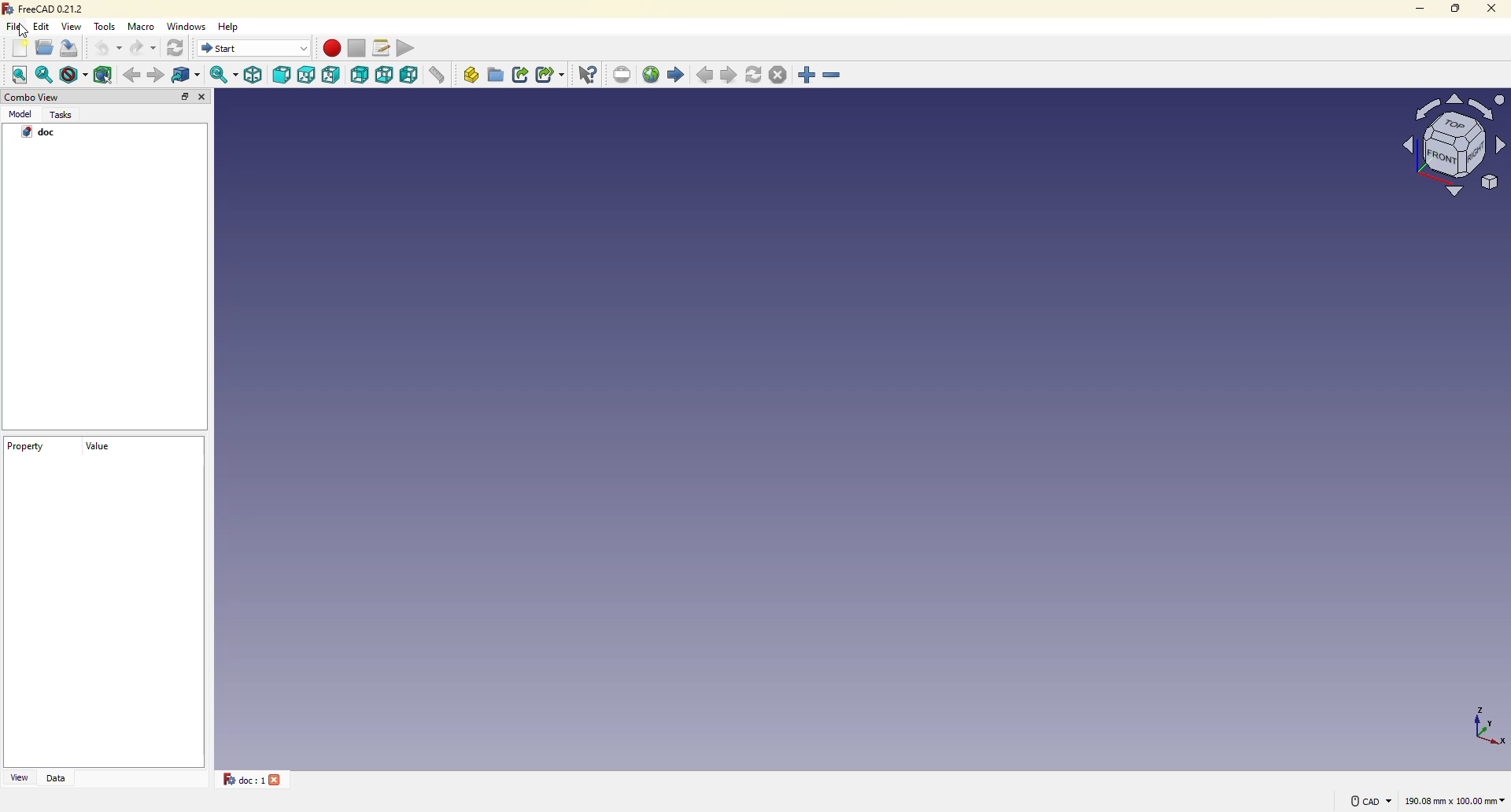 This screenshot has width=1511, height=812. Describe the element at coordinates (497, 74) in the screenshot. I see `create group` at that location.